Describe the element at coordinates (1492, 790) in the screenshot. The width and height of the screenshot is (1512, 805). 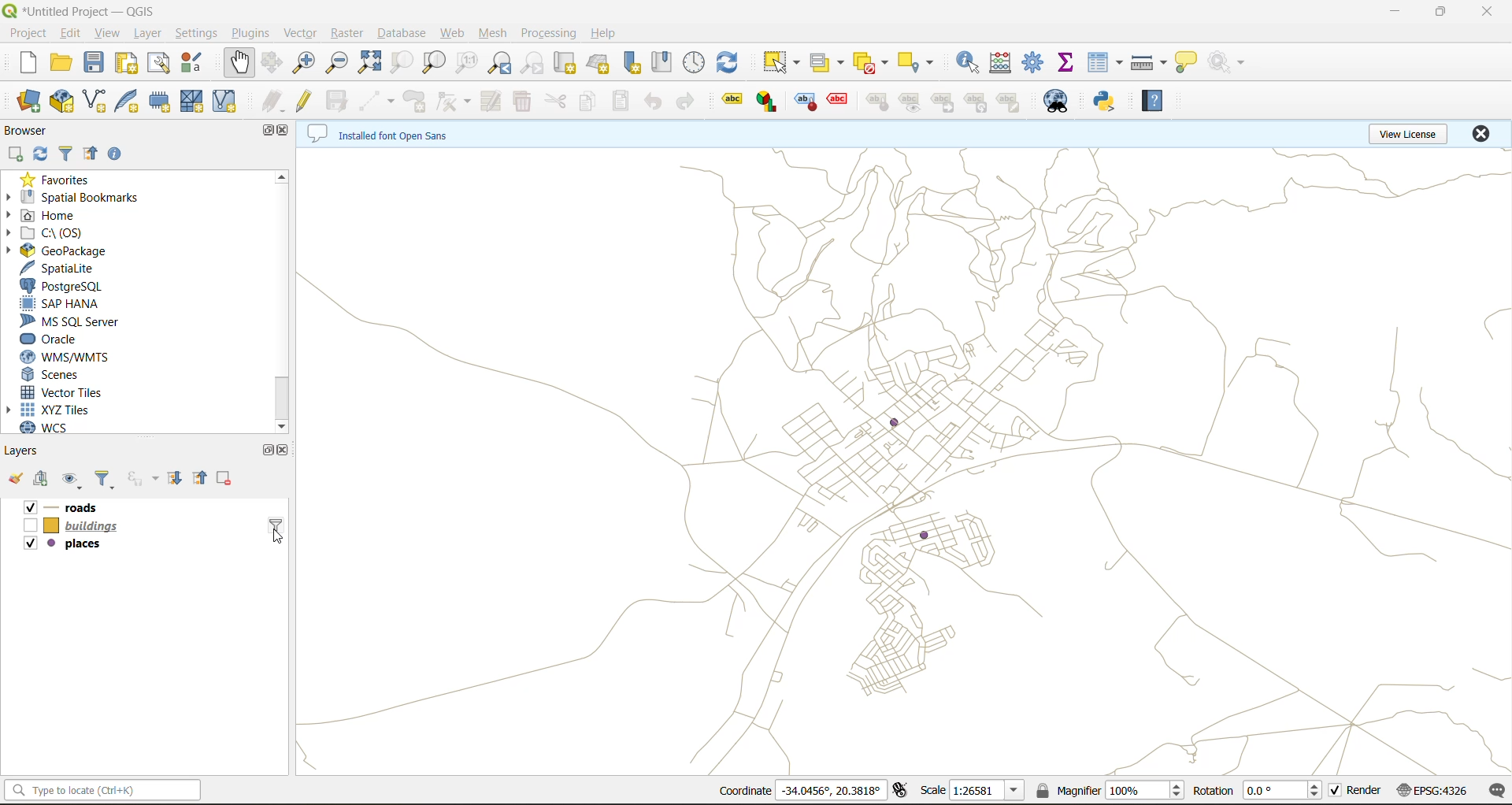
I see `log messages` at that location.